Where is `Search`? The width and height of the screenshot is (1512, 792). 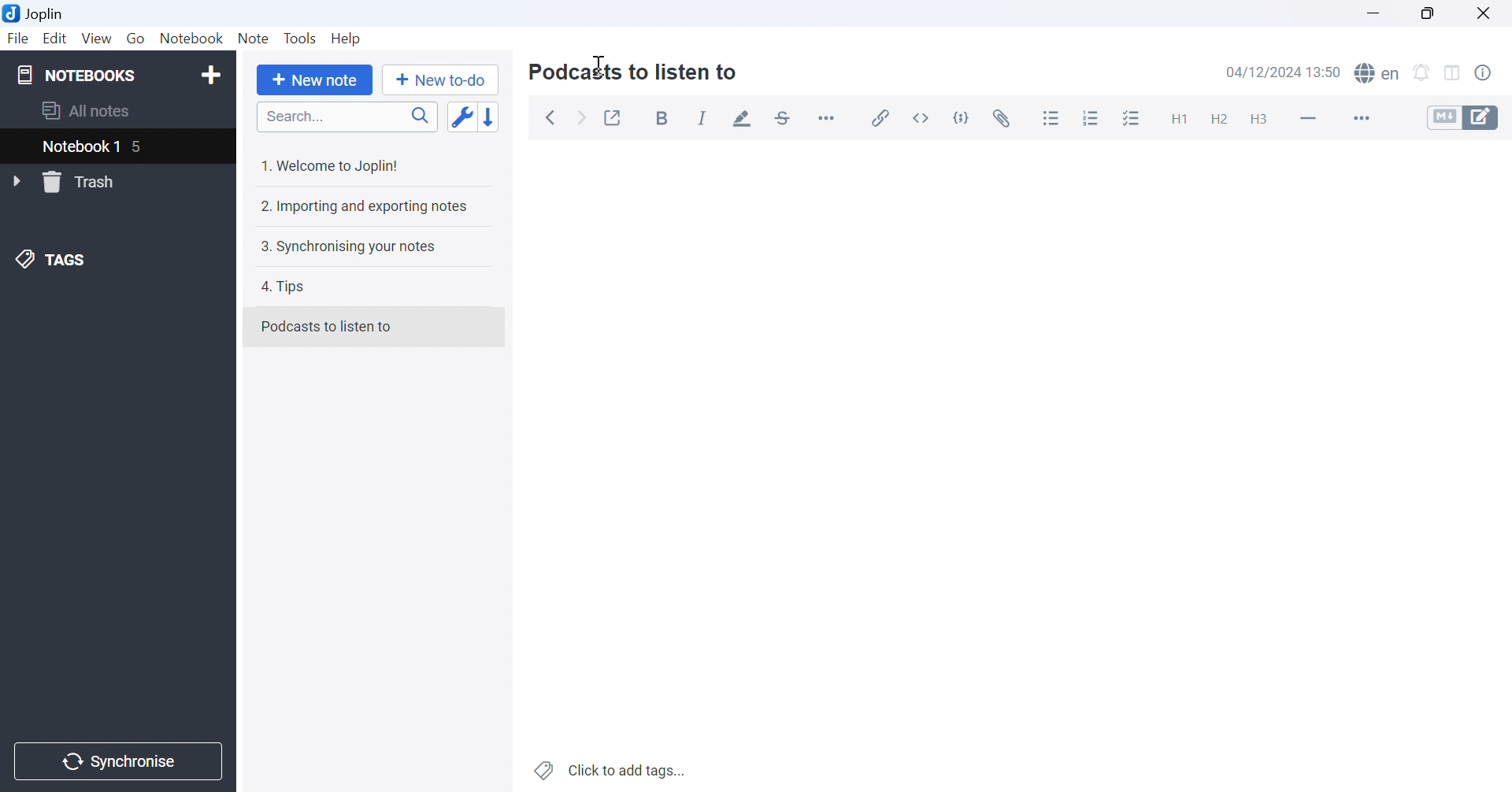
Search is located at coordinates (346, 117).